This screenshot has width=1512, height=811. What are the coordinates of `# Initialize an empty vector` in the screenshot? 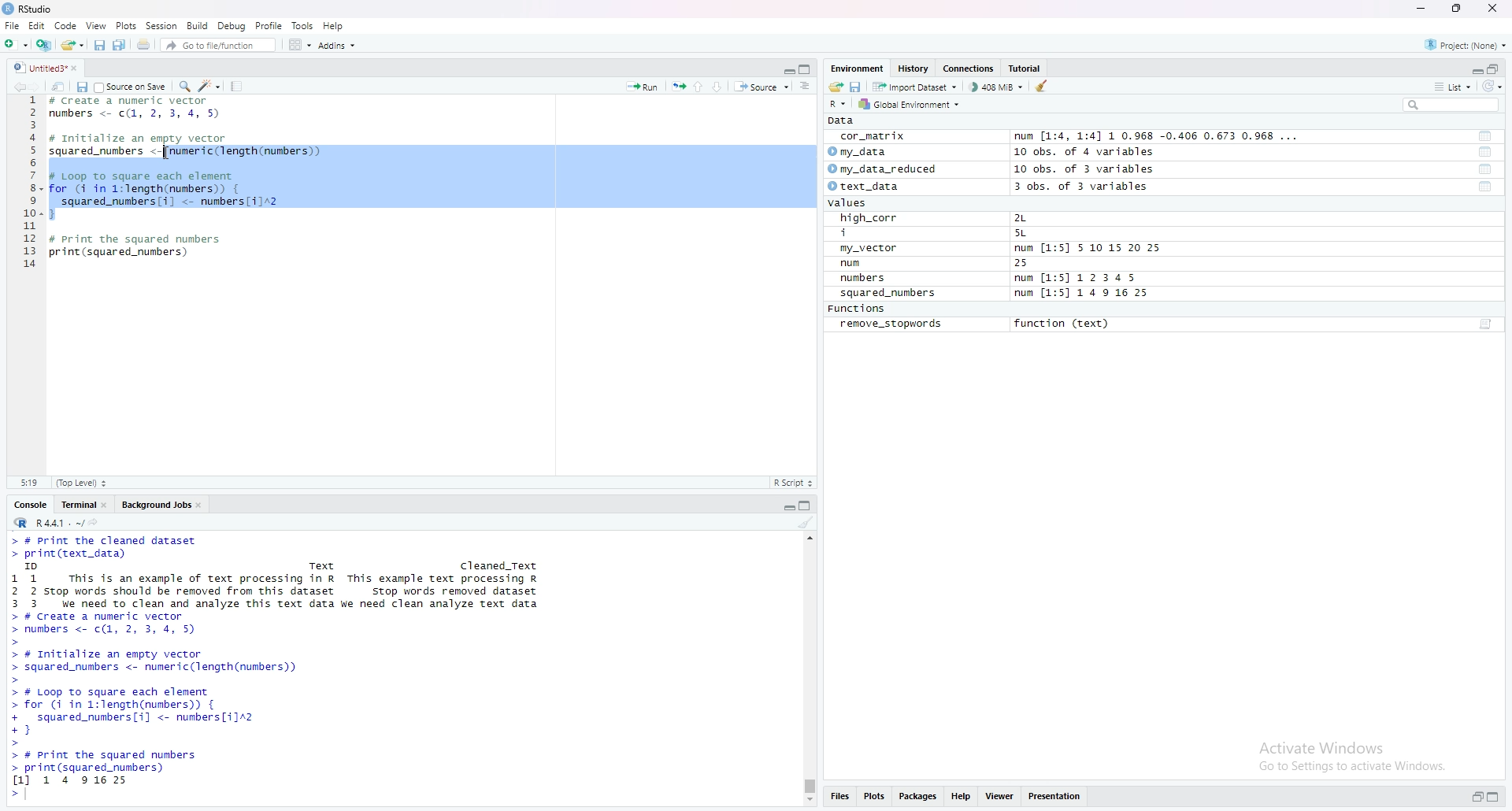 It's located at (143, 139).